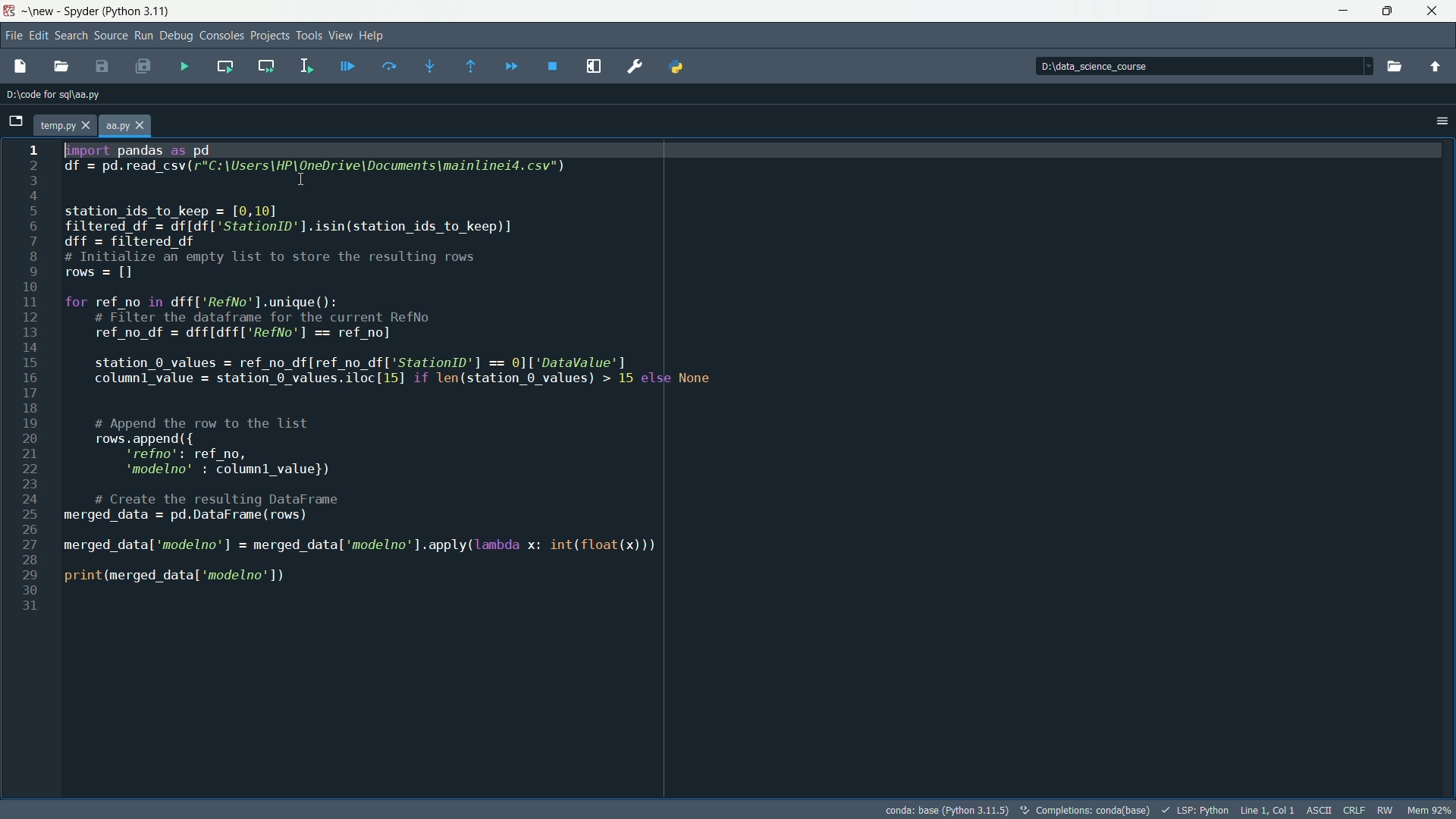  I want to click on debug menu, so click(175, 36).